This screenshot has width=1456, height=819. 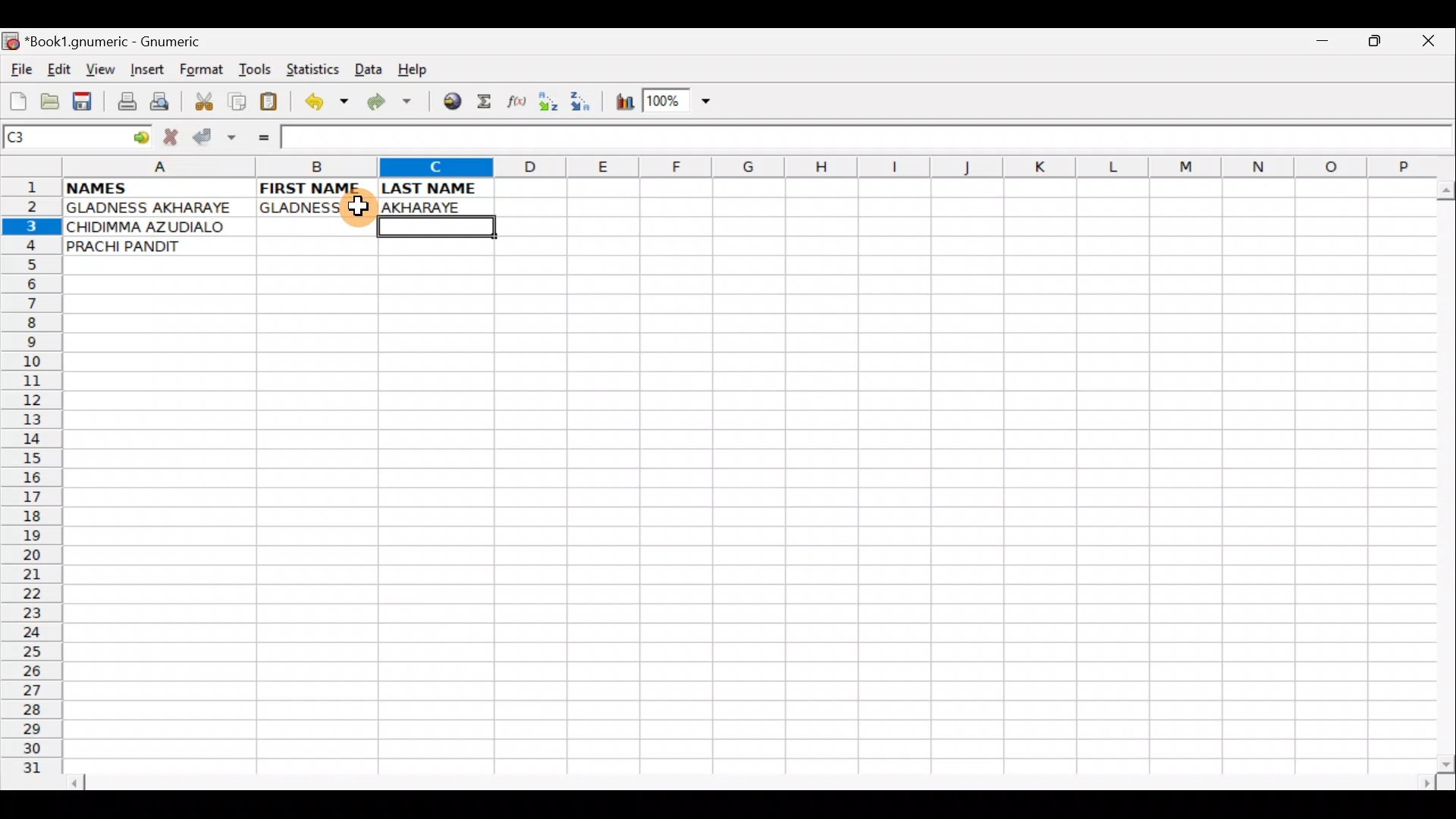 What do you see at coordinates (256, 70) in the screenshot?
I see `Tools` at bounding box center [256, 70].